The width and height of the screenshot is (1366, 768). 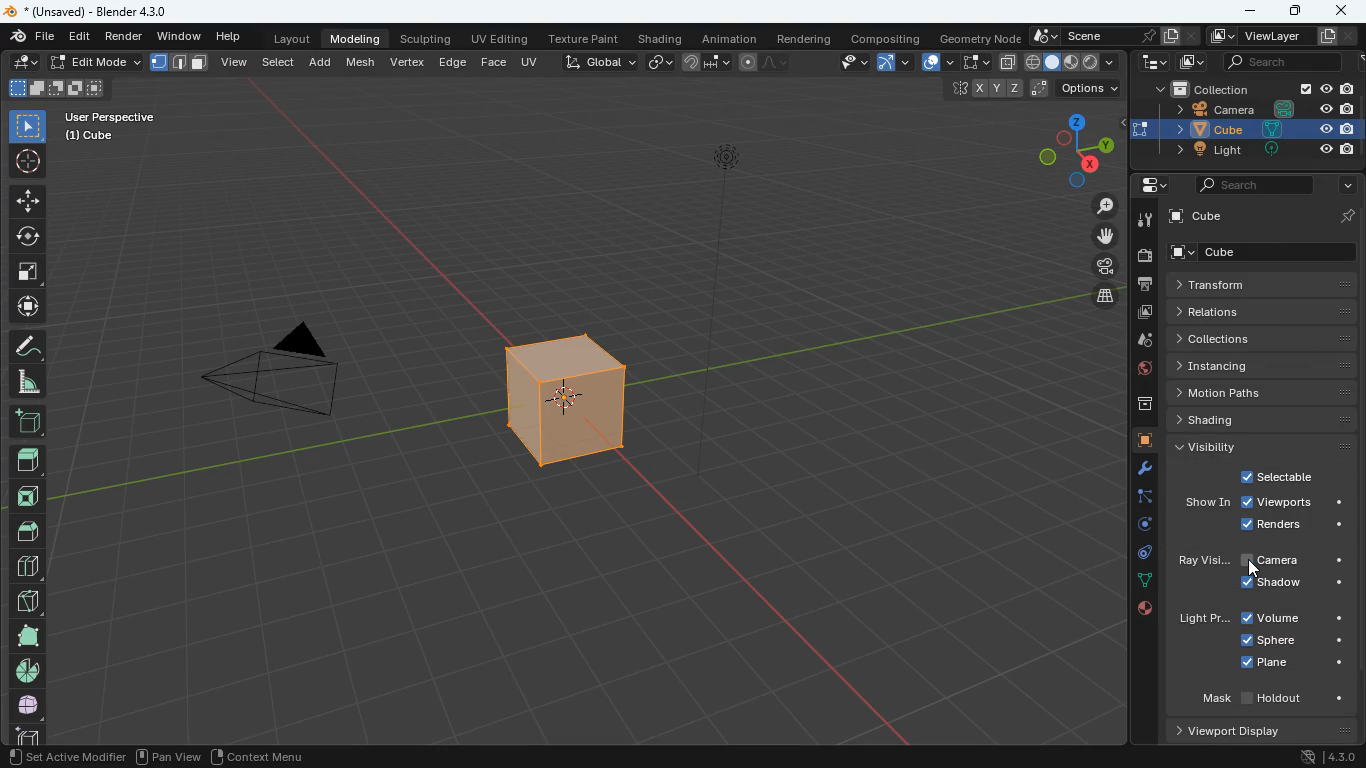 What do you see at coordinates (1143, 312) in the screenshot?
I see `image` at bounding box center [1143, 312].